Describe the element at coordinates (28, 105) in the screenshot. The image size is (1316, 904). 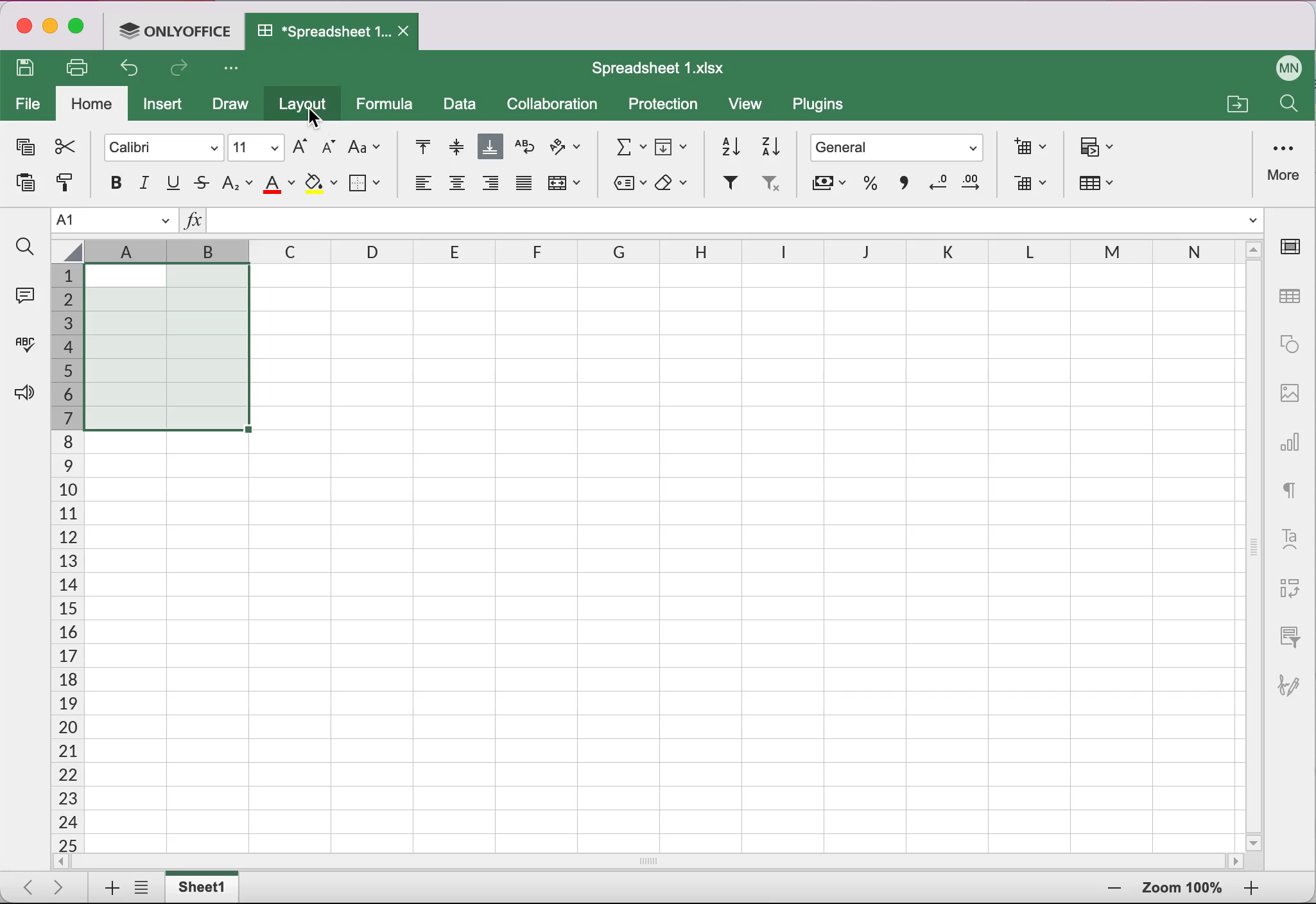
I see `file` at that location.